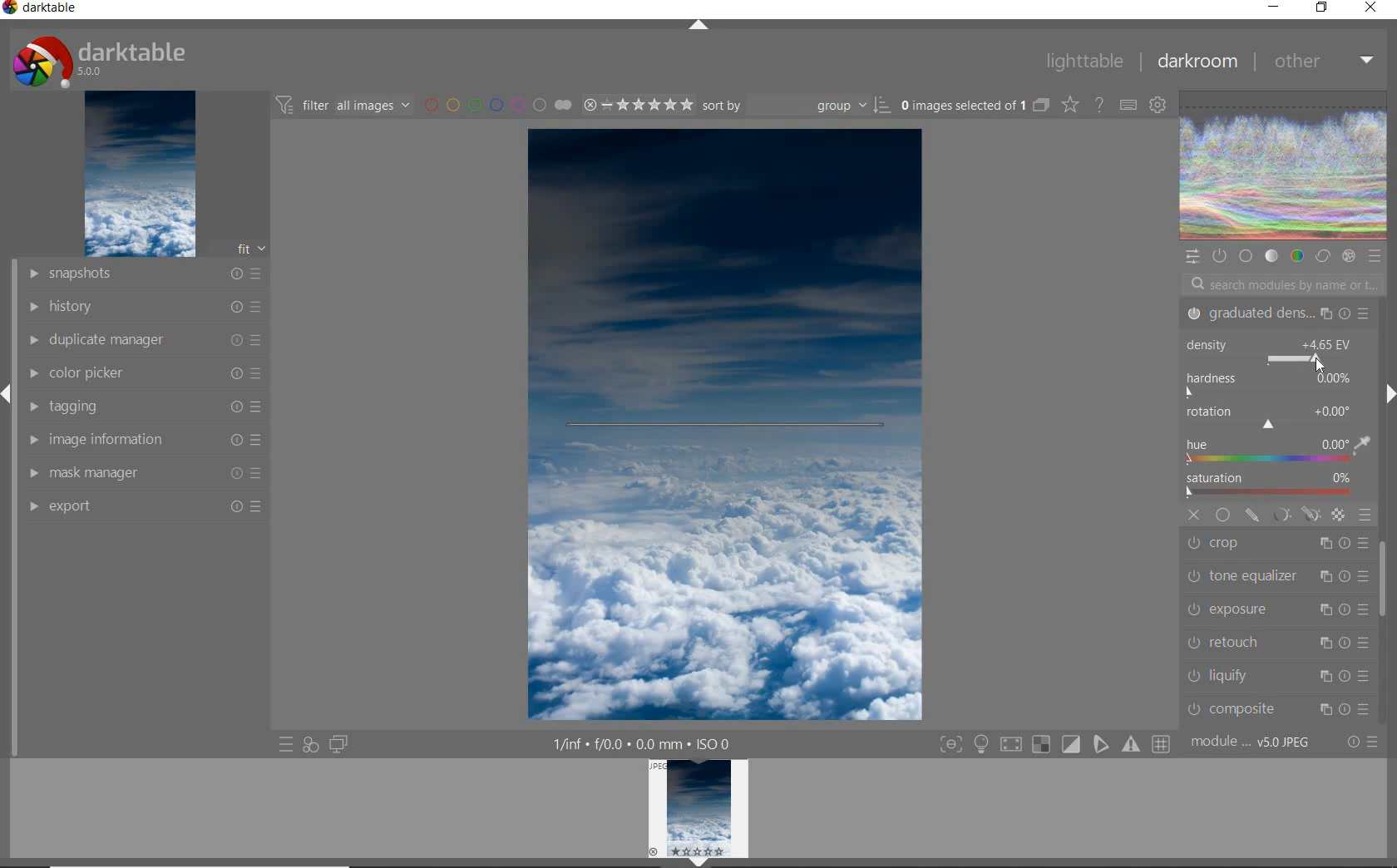 The width and height of the screenshot is (1397, 868). Describe the element at coordinates (1274, 352) in the screenshot. I see `DENSITY` at that location.